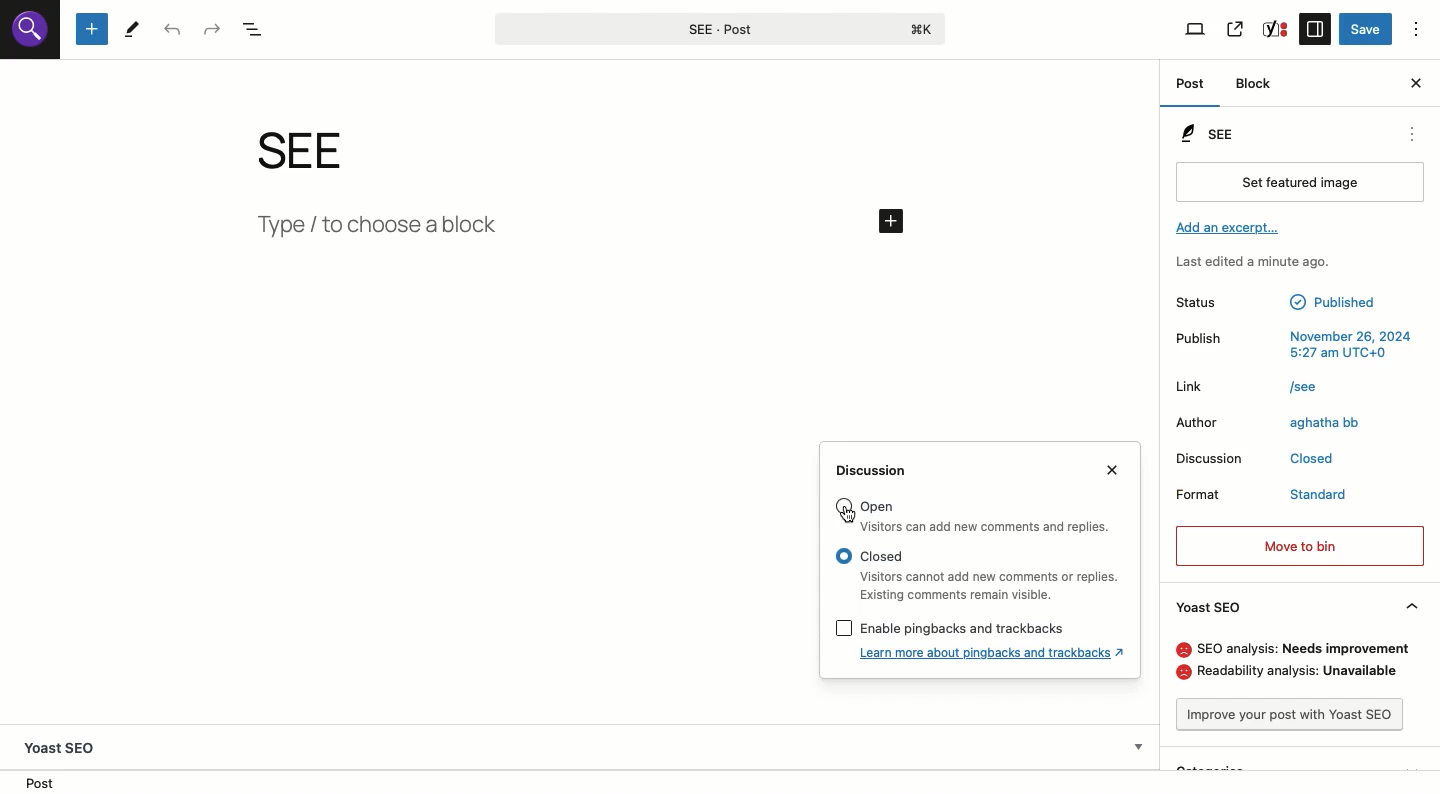 The width and height of the screenshot is (1440, 794). What do you see at coordinates (1299, 184) in the screenshot?
I see `Set featured image` at bounding box center [1299, 184].